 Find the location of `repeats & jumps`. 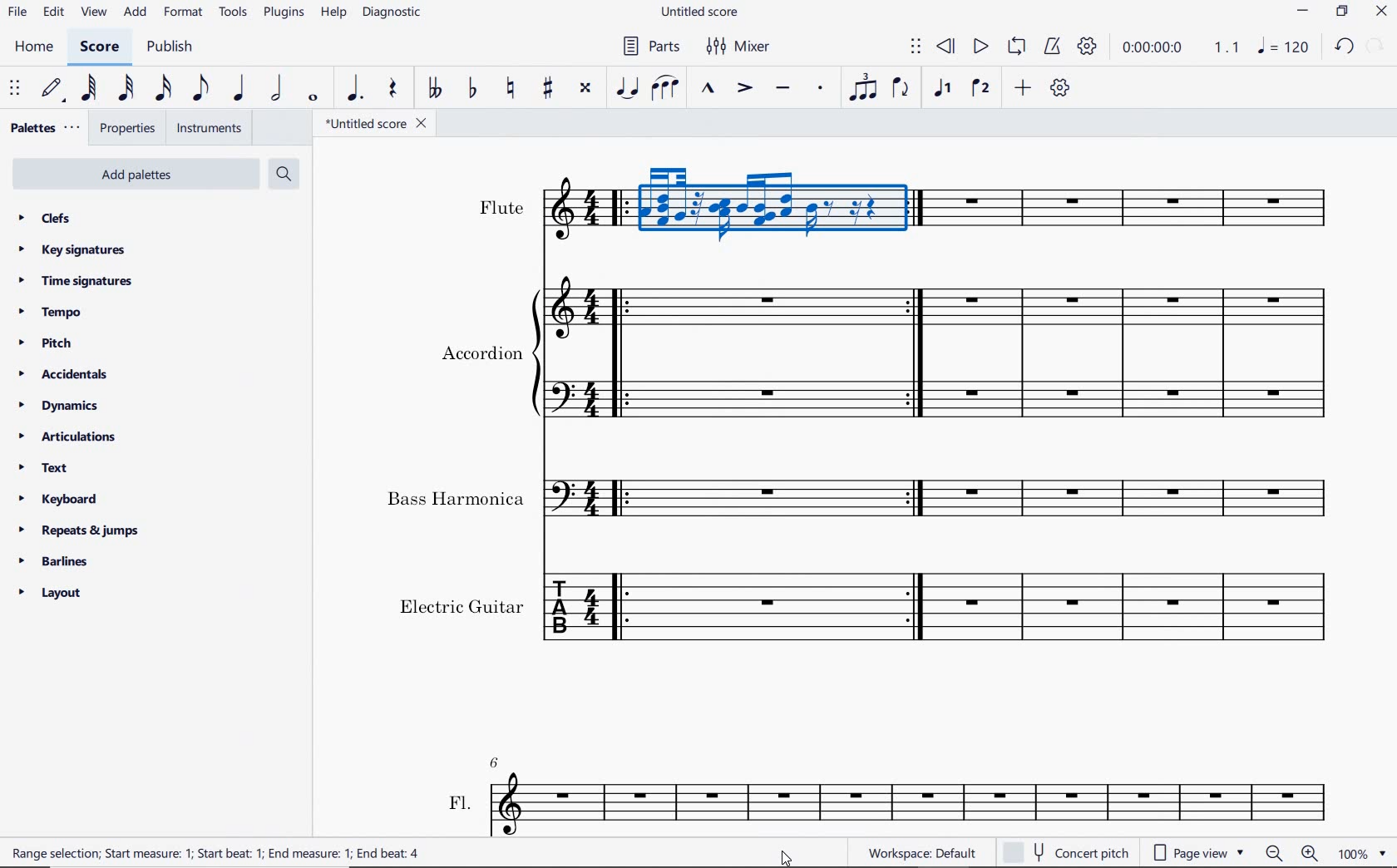

repeats & jumps is located at coordinates (84, 531).